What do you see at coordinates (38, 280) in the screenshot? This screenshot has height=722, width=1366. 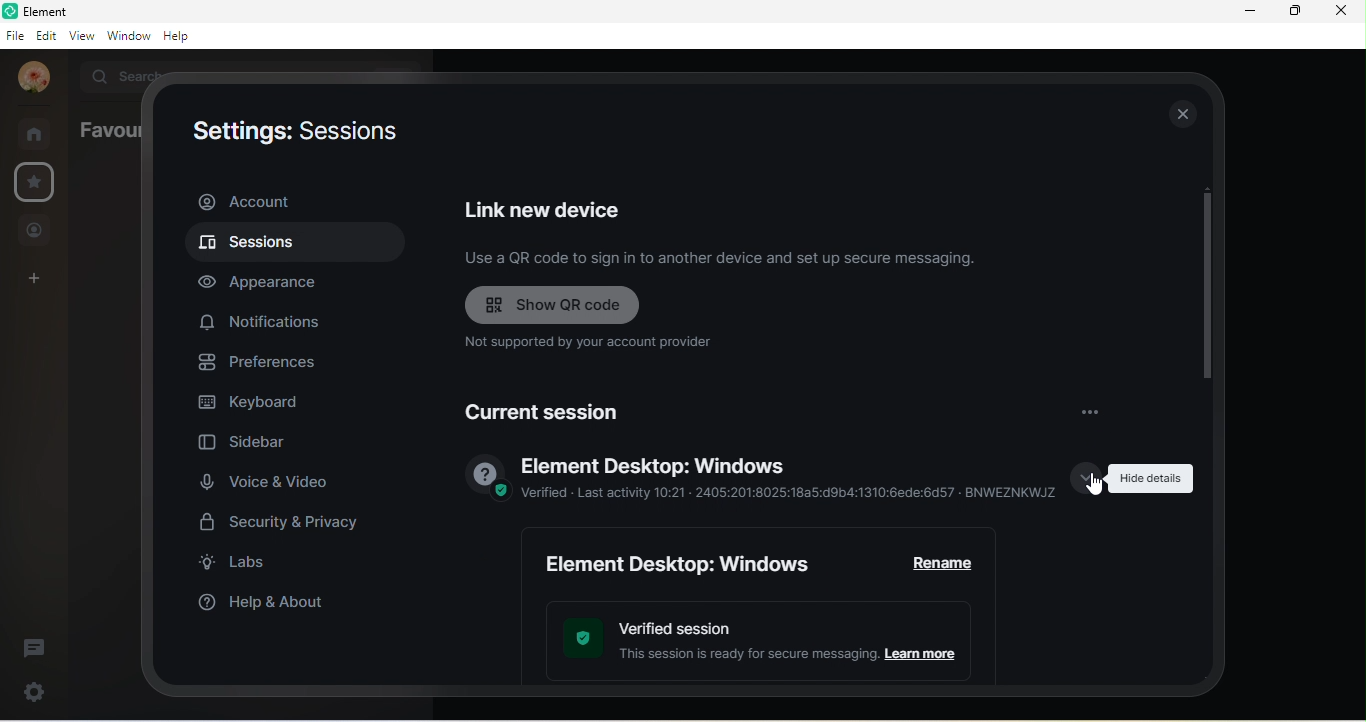 I see `create a space` at bounding box center [38, 280].